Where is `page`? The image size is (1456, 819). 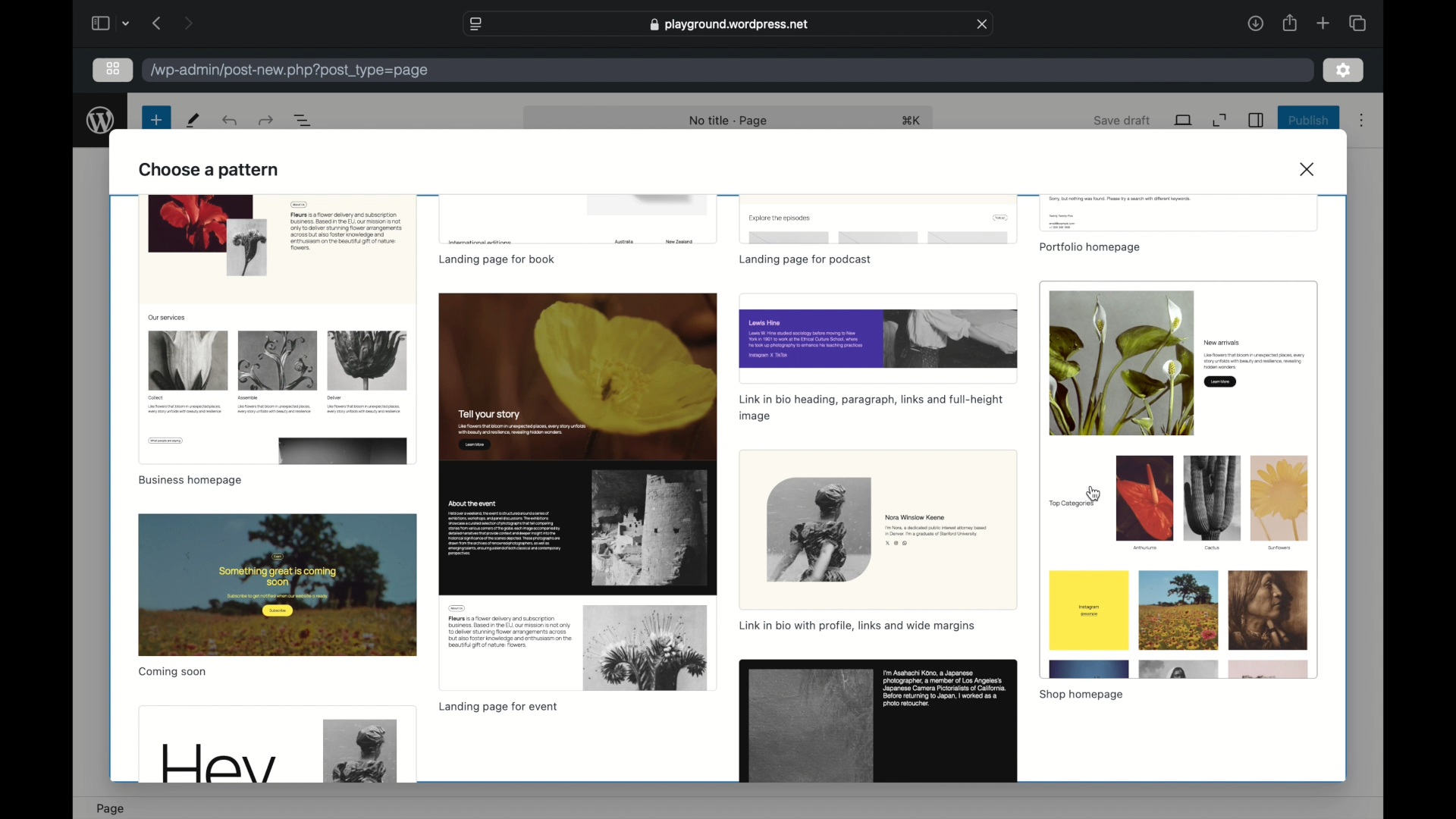 page is located at coordinates (111, 808).